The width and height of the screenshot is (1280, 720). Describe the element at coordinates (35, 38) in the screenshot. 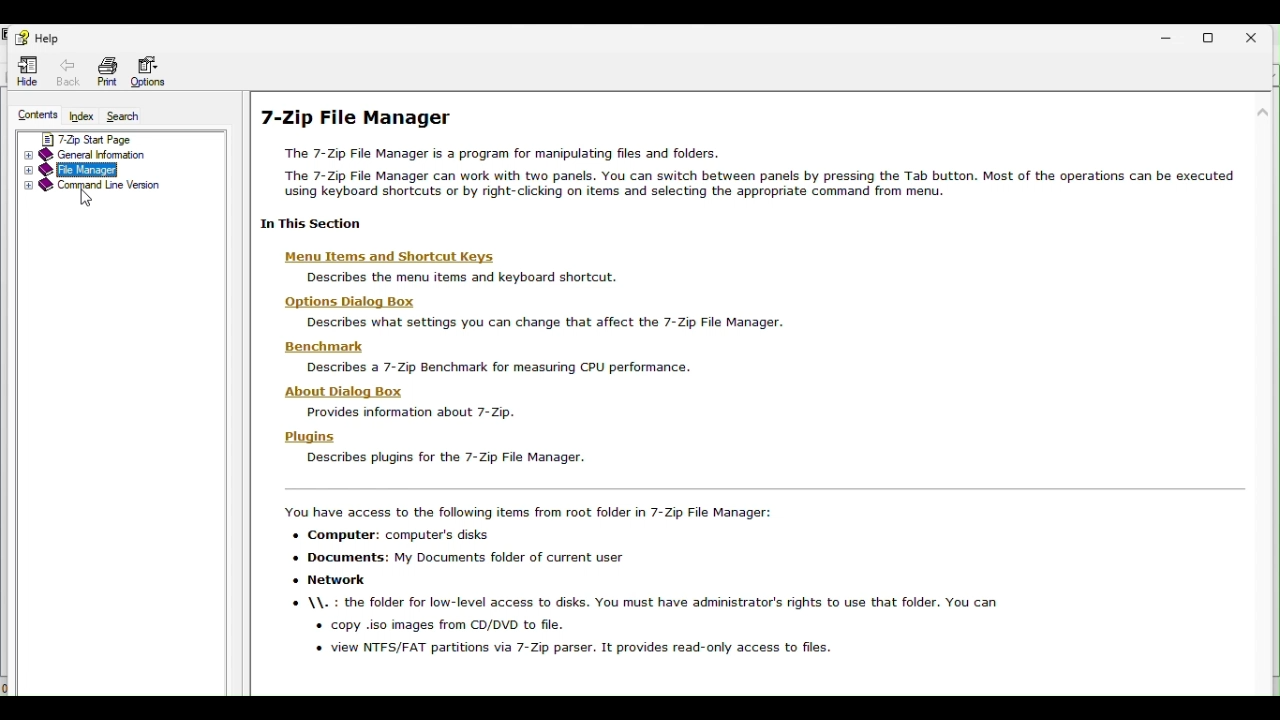

I see `help` at that location.